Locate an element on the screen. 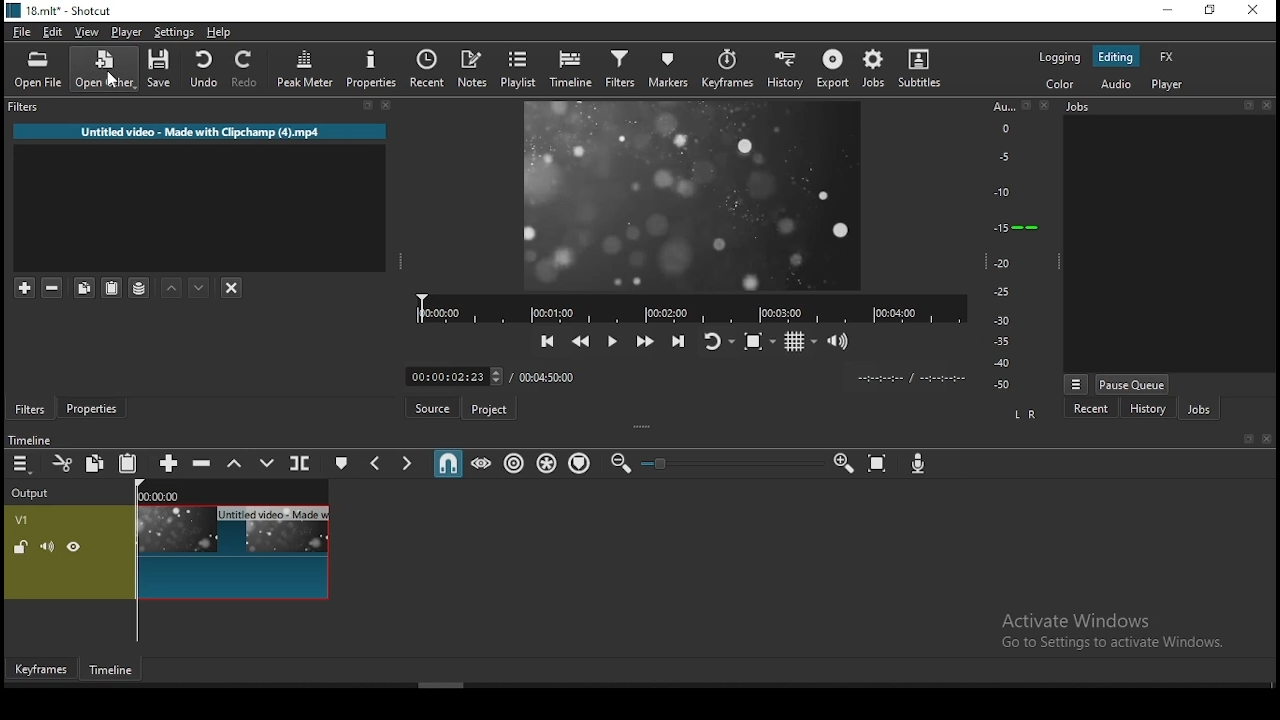  move filter down is located at coordinates (200, 286).